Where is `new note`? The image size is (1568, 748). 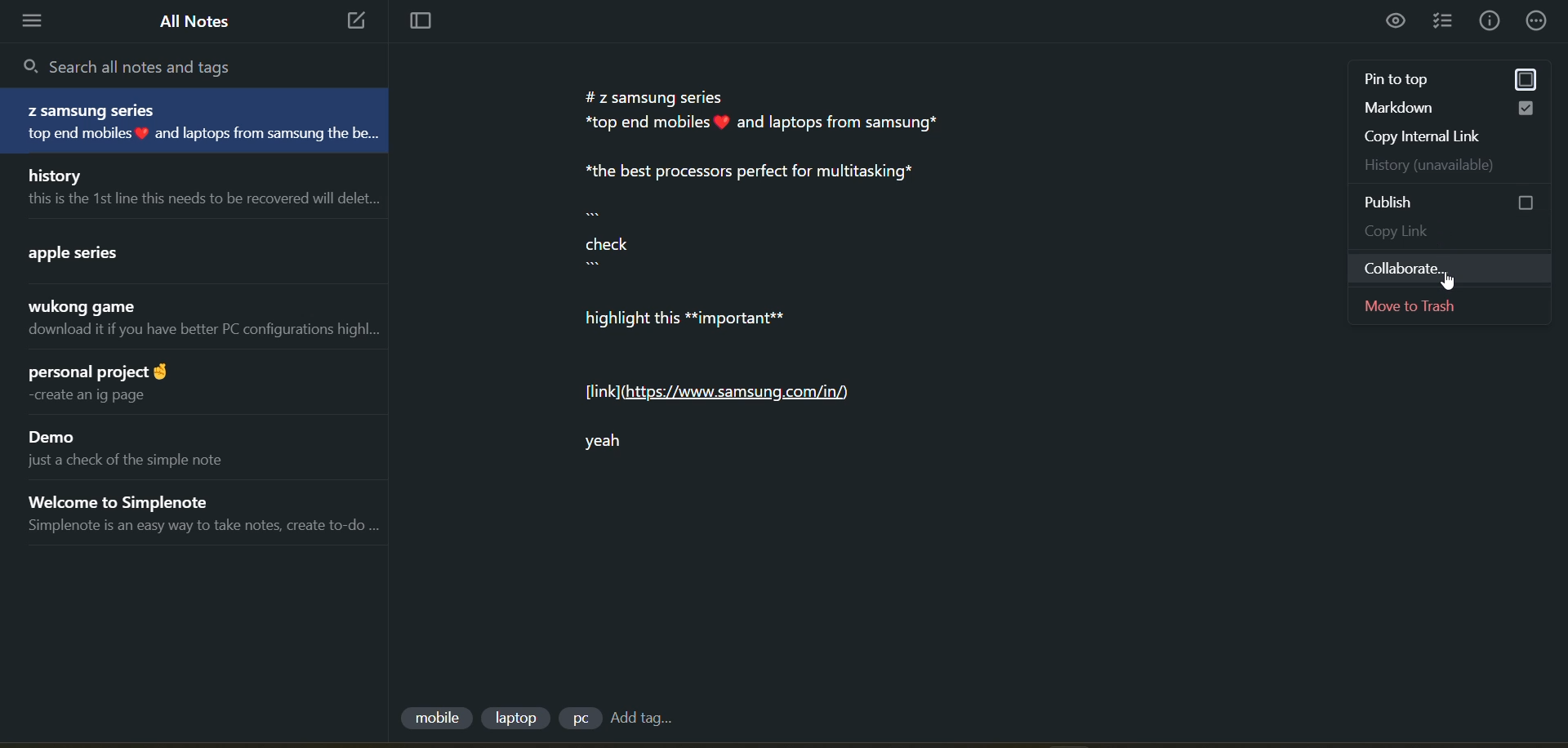
new note is located at coordinates (351, 22).